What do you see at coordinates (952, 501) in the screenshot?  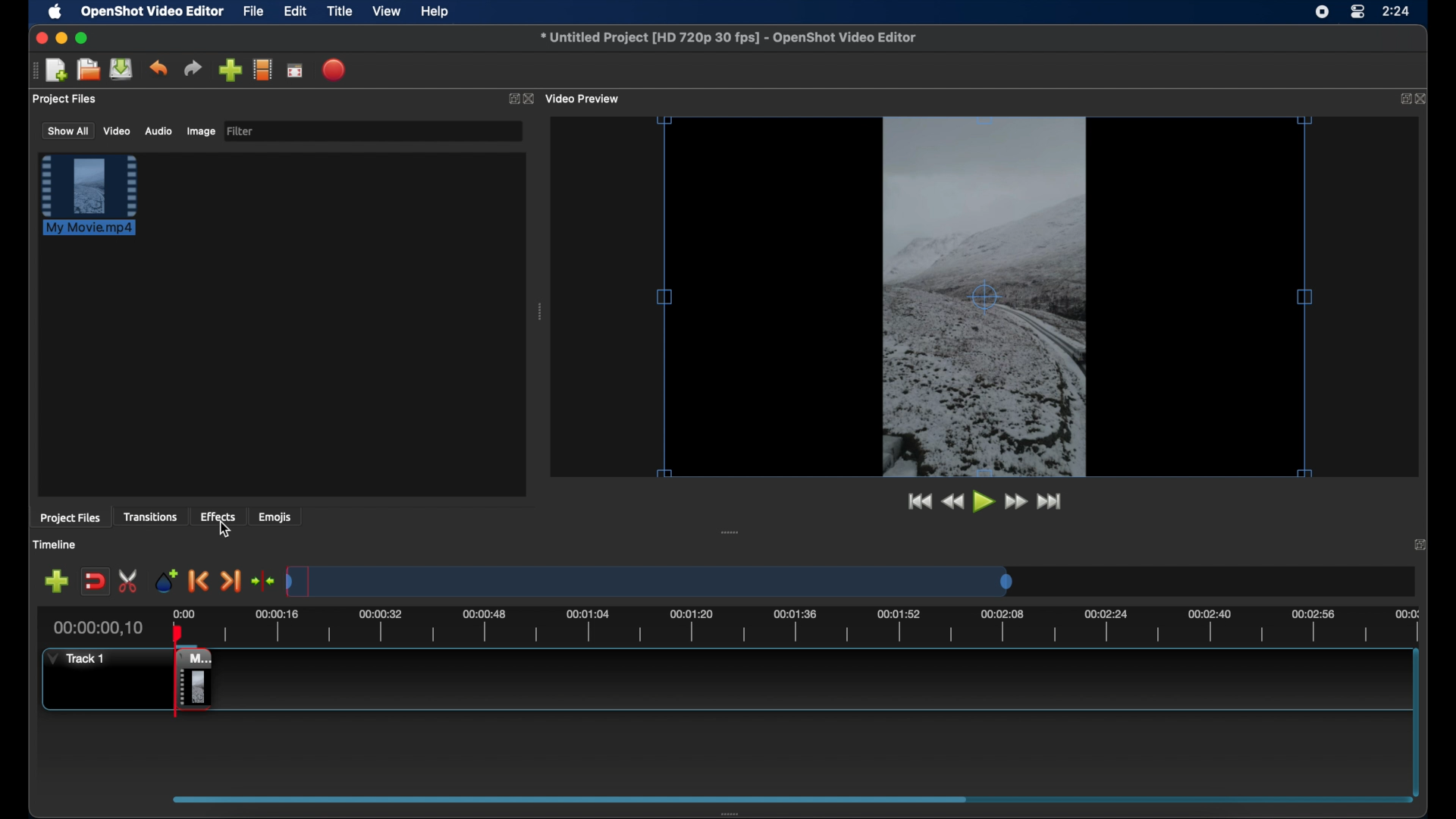 I see `rewind` at bounding box center [952, 501].